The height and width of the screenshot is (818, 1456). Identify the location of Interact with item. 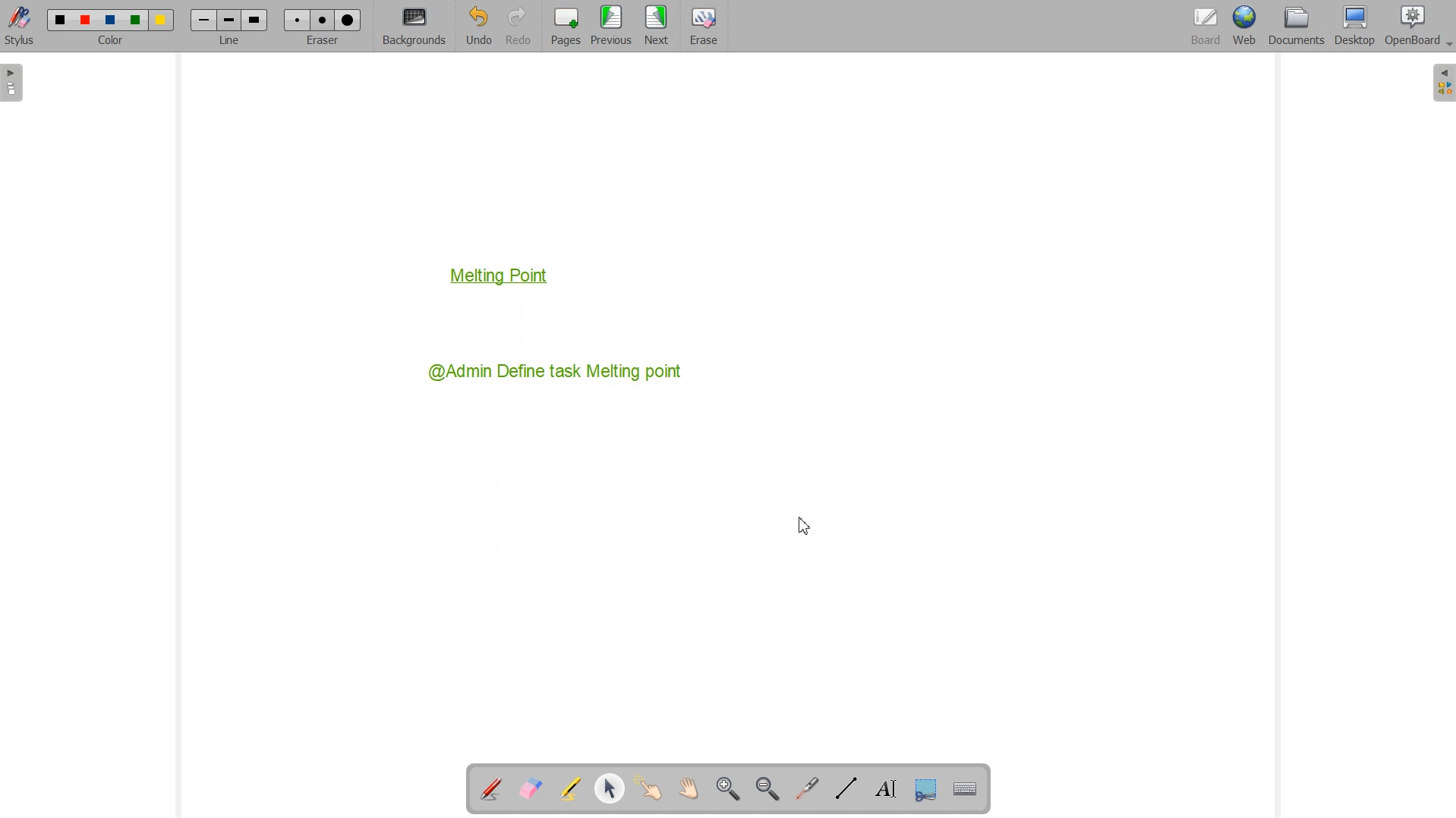
(648, 789).